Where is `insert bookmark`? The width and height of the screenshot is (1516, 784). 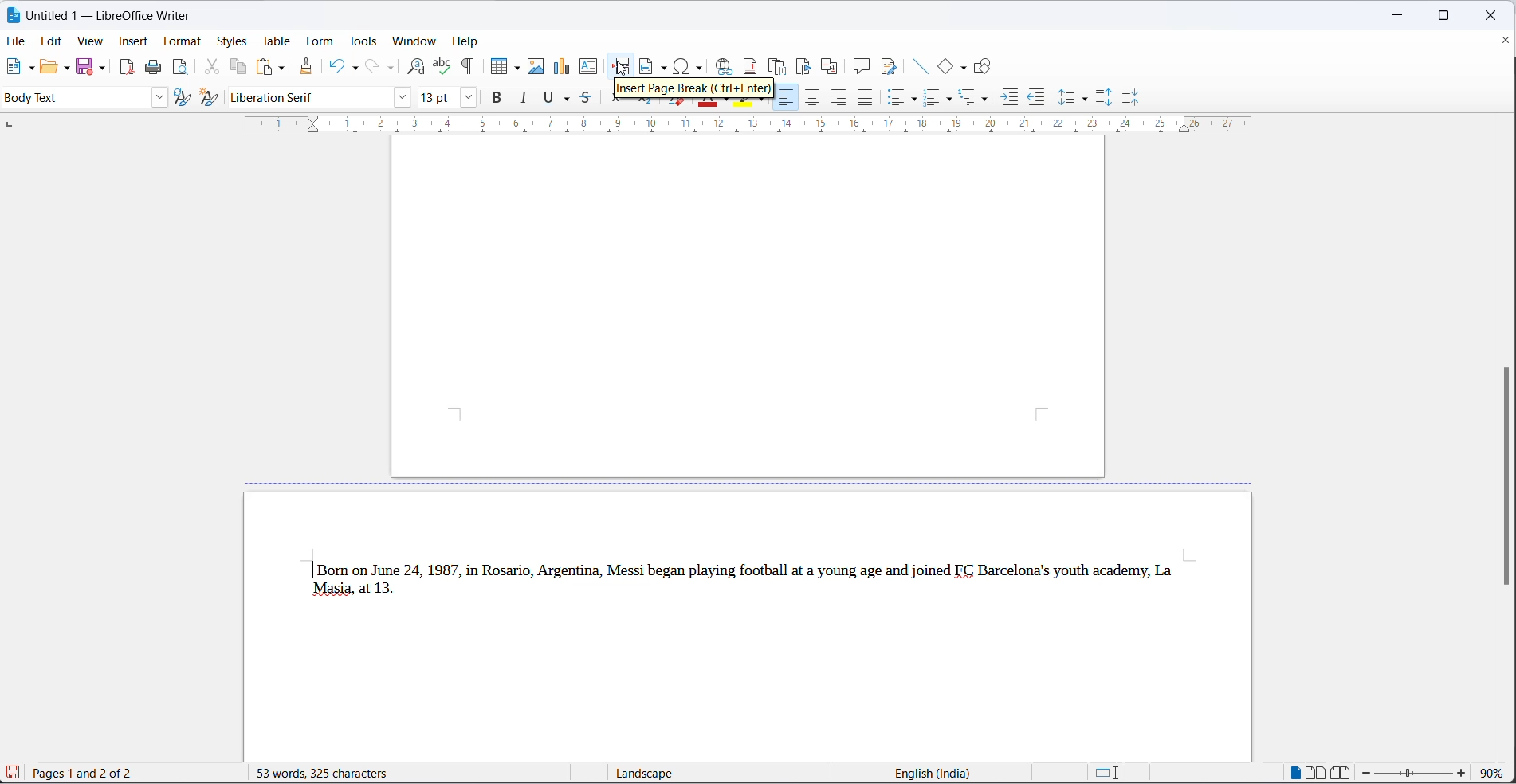
insert bookmark is located at coordinates (803, 67).